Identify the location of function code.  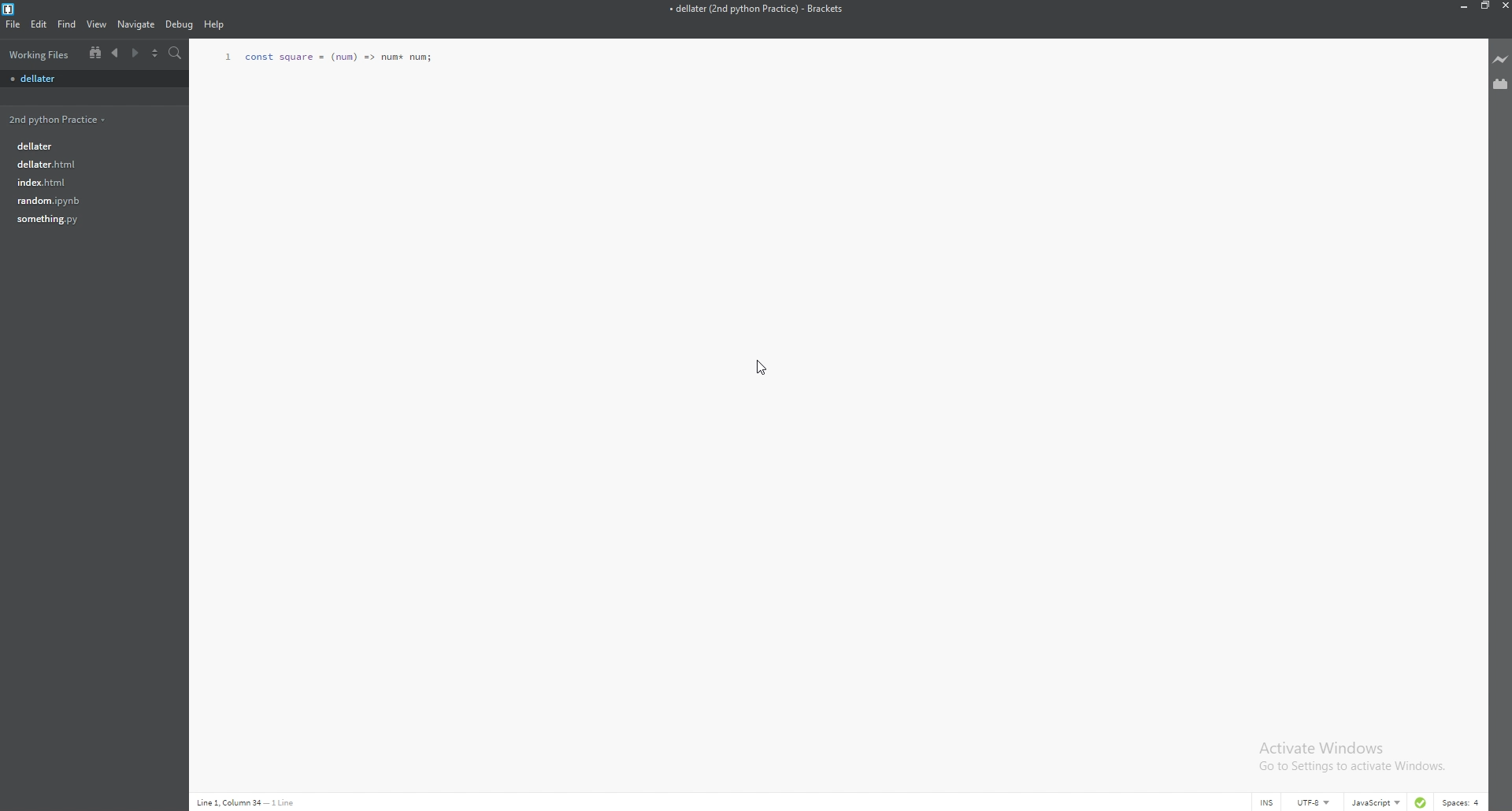
(332, 57).